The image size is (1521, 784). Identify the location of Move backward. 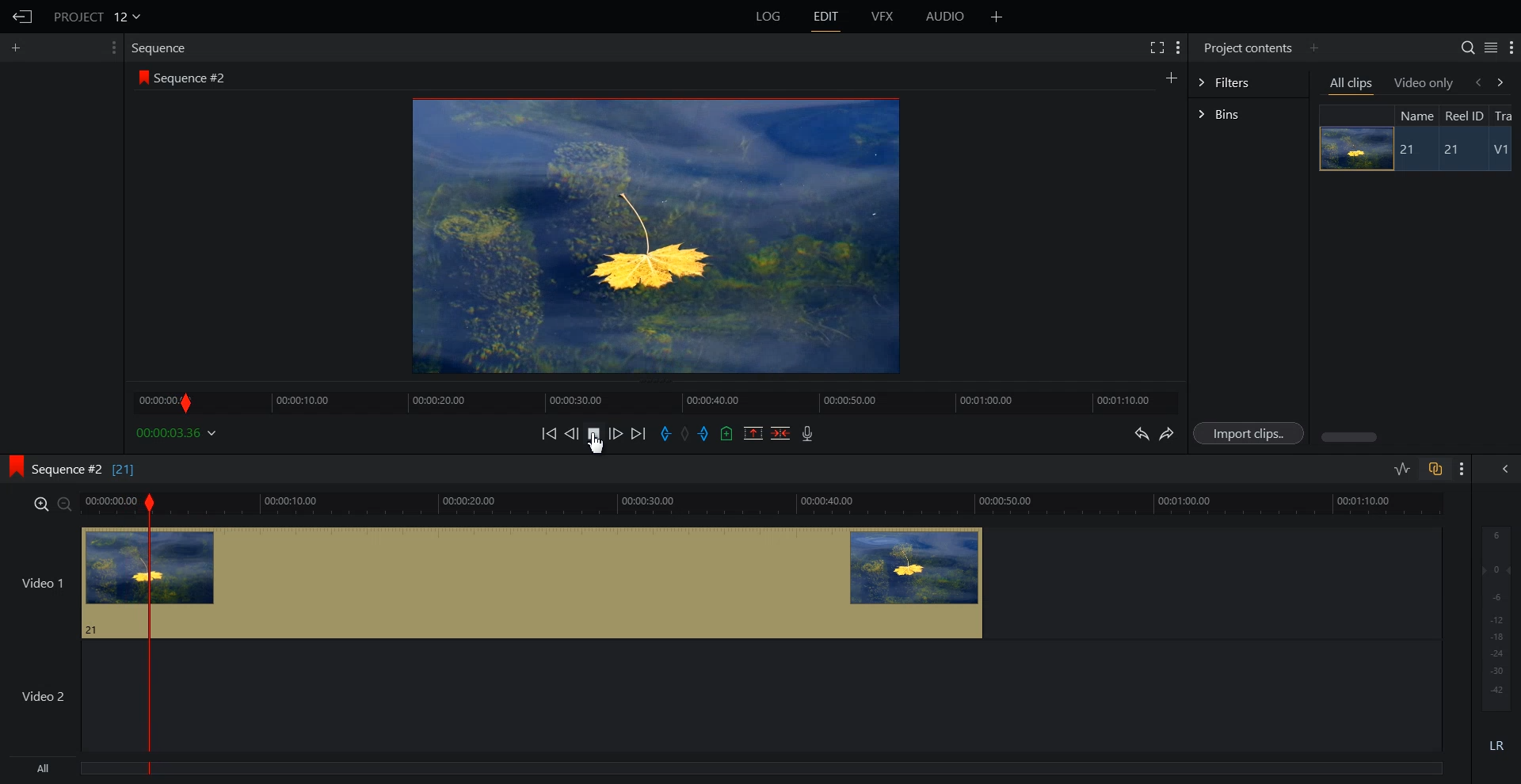
(551, 433).